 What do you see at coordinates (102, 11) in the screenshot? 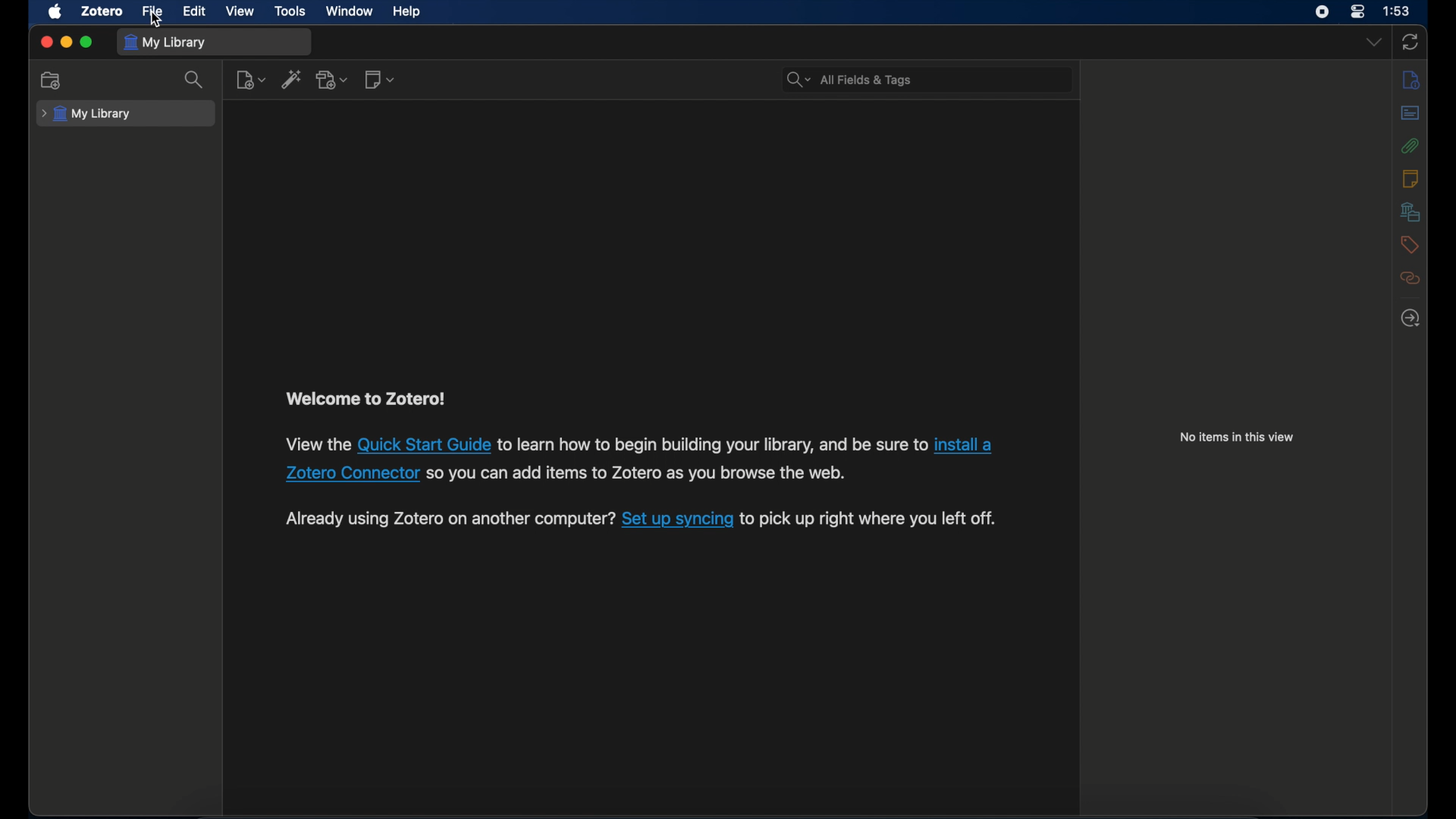
I see `zotero` at bounding box center [102, 11].